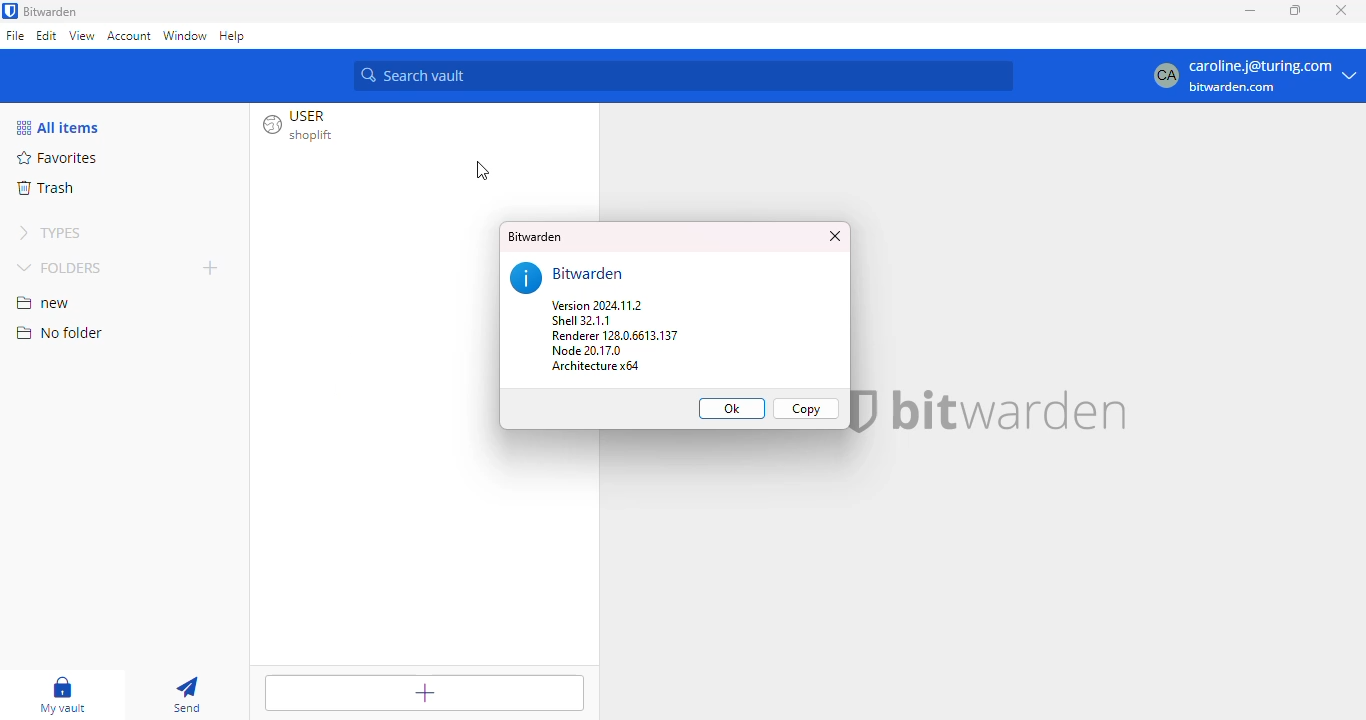 Image resolution: width=1366 pixels, height=720 pixels. I want to click on no folder, so click(59, 332).